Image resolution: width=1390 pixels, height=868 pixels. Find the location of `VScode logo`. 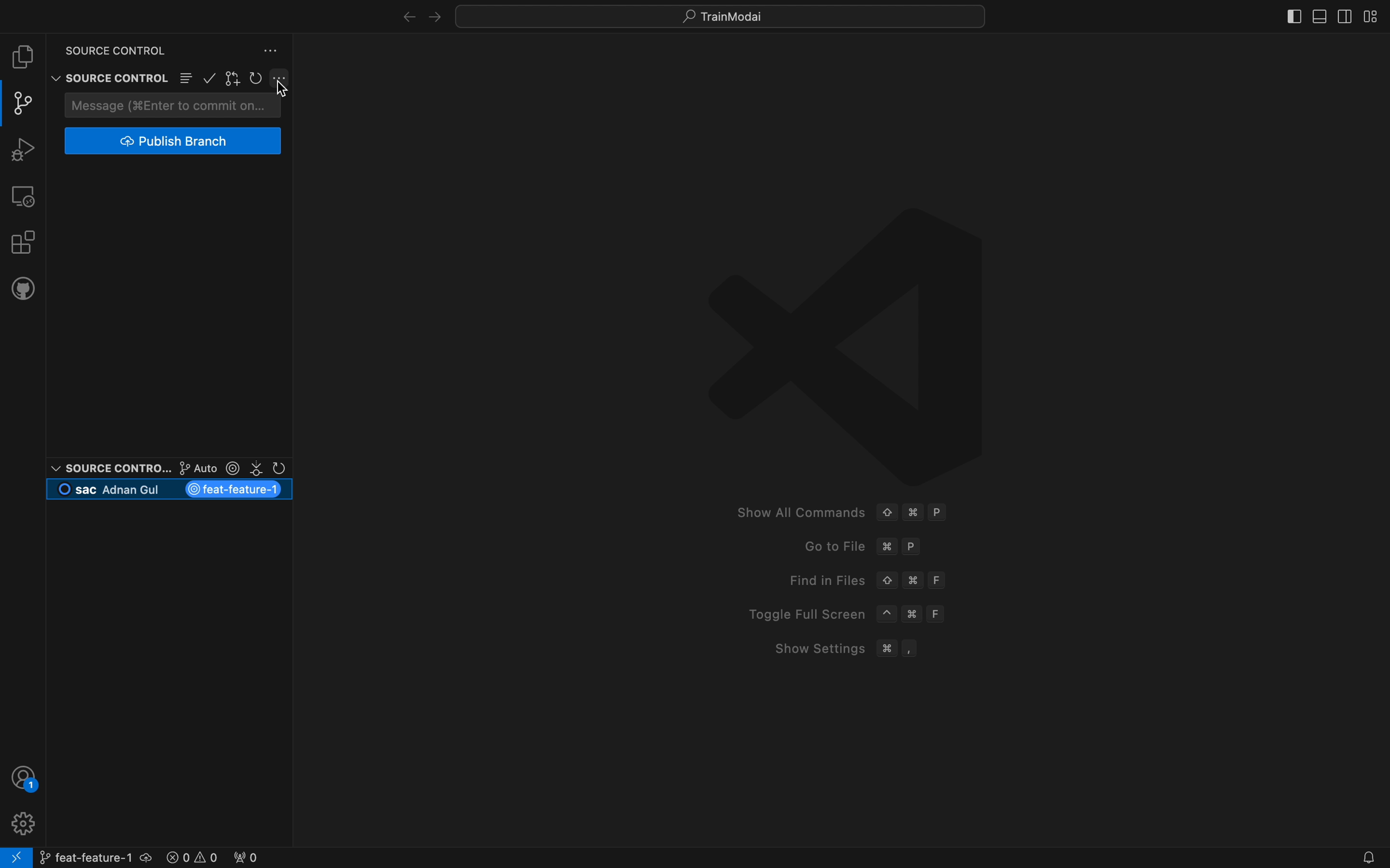

VScode logo is located at coordinates (841, 343).